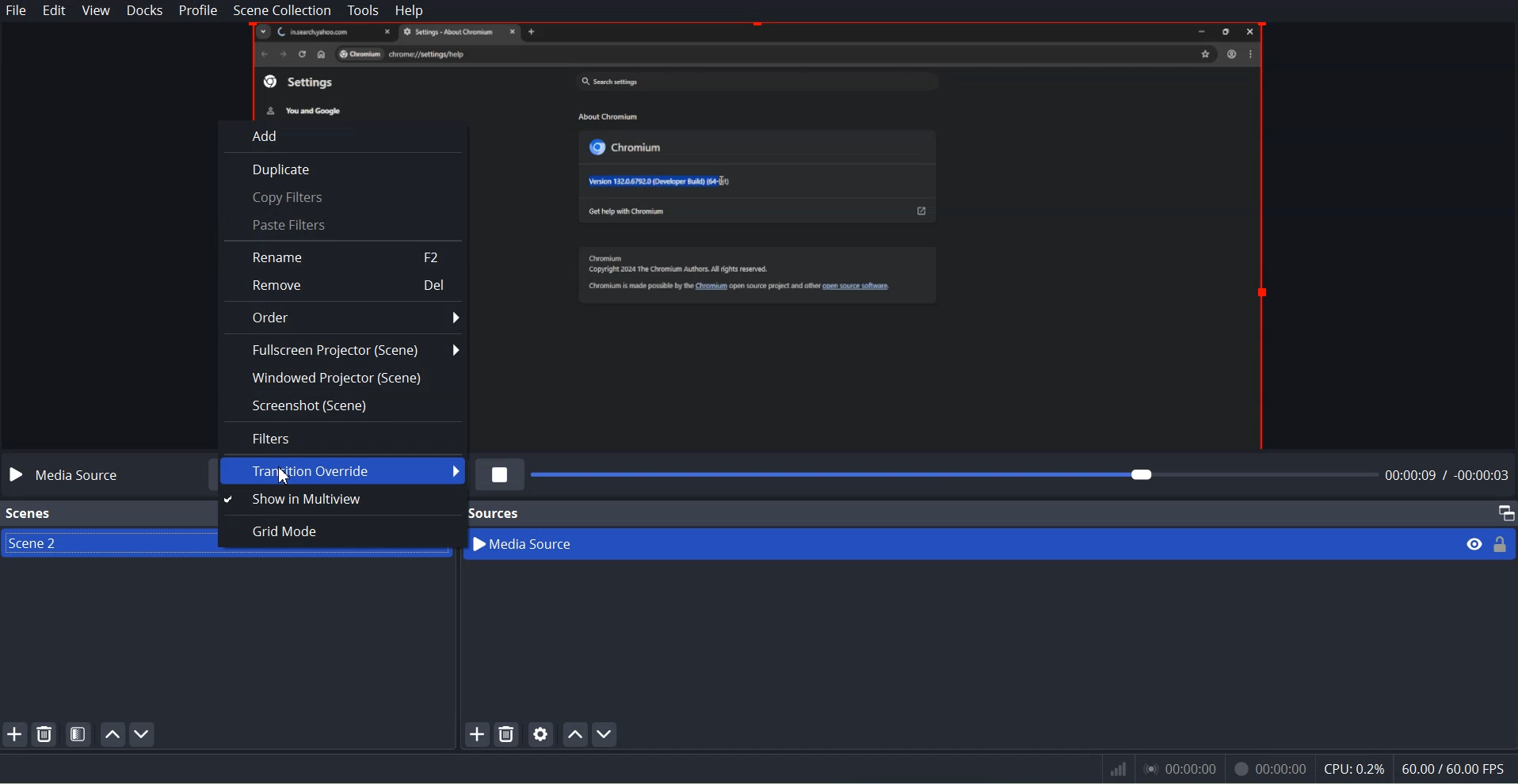  Describe the element at coordinates (284, 476) in the screenshot. I see `Cursor` at that location.